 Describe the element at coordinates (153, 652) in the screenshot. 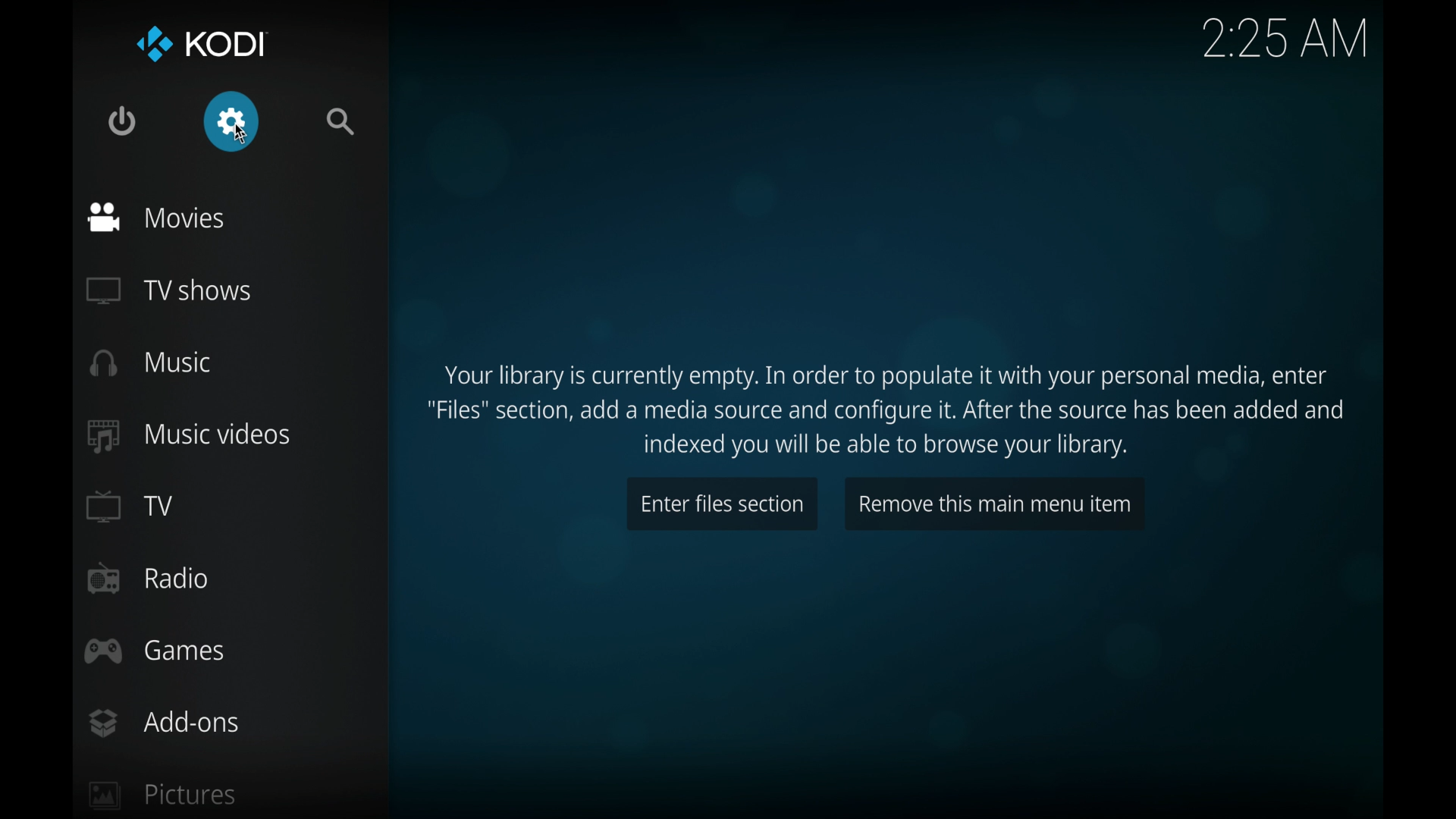

I see `games` at that location.